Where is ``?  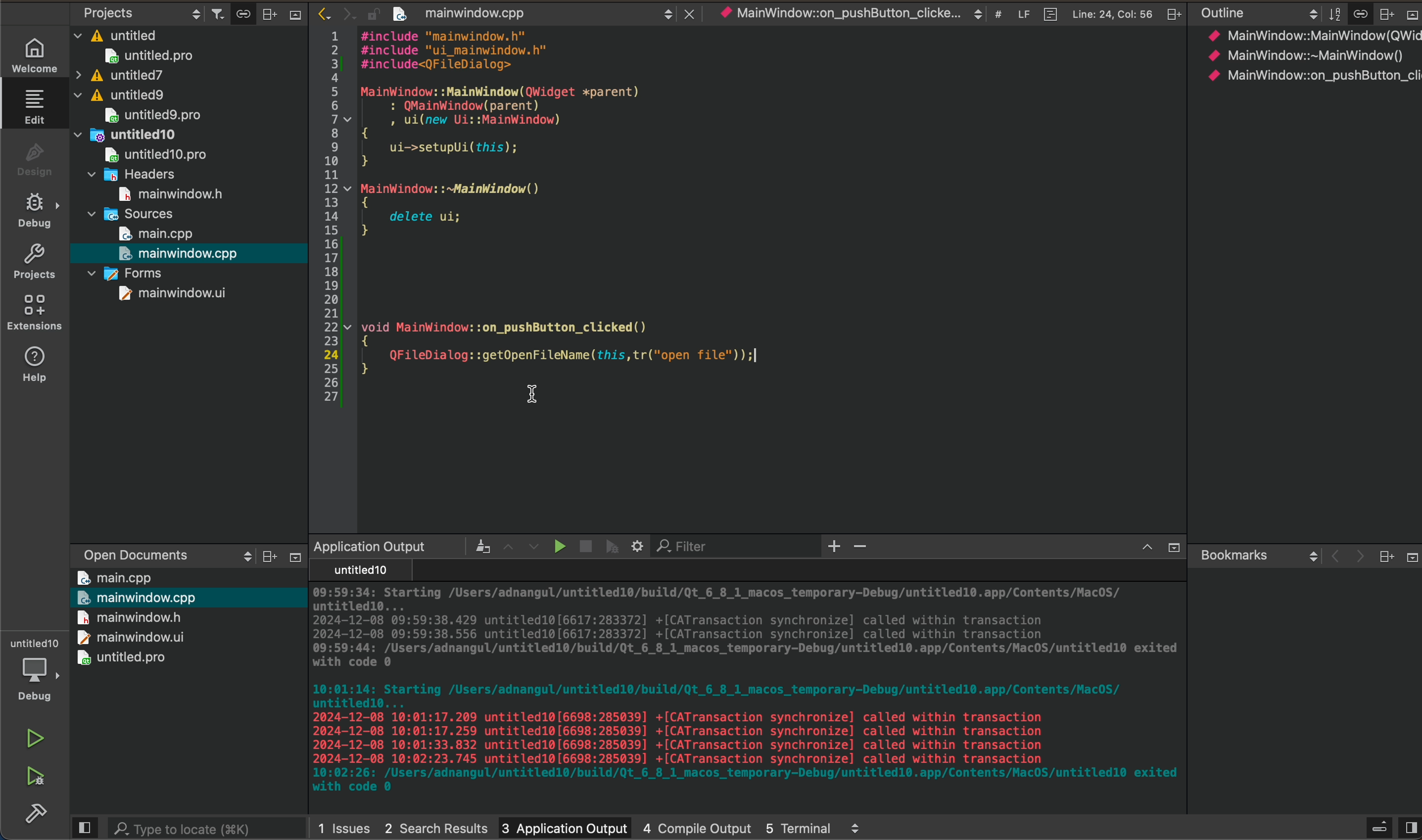  is located at coordinates (1171, 548).